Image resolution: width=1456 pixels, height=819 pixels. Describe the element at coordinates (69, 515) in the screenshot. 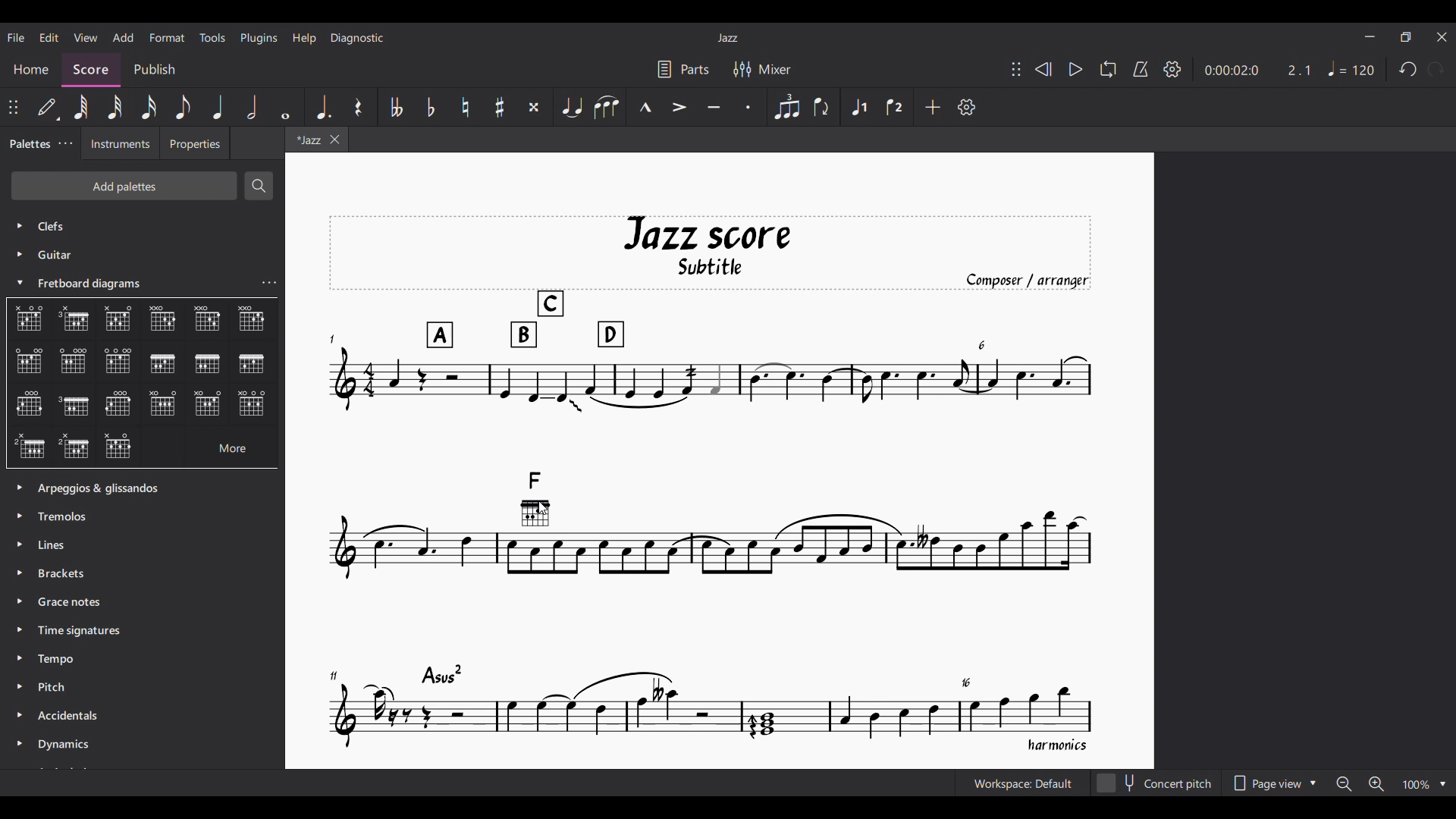

I see `tremolos` at that location.